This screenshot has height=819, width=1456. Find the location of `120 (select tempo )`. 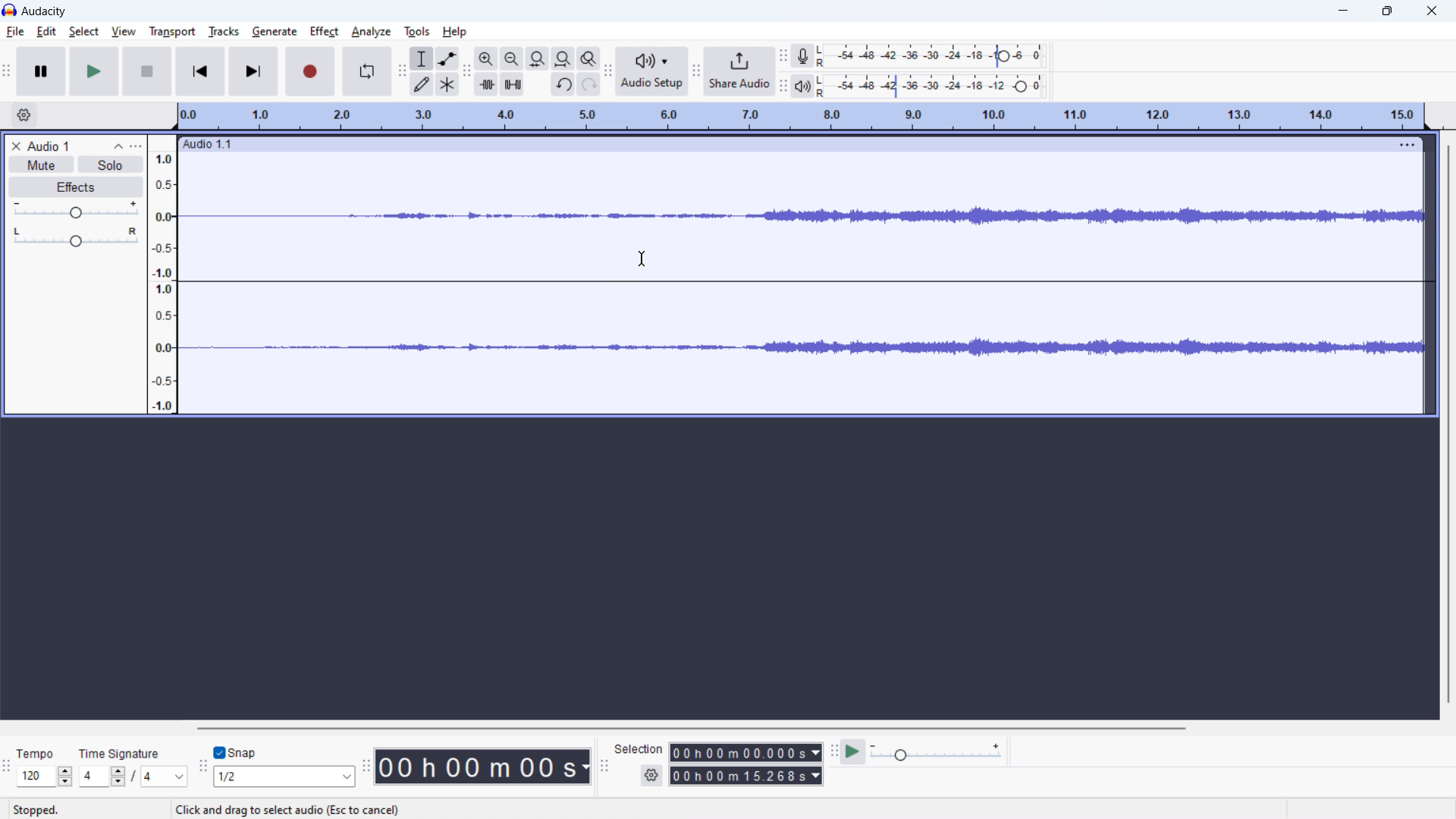

120 (select tempo ) is located at coordinates (44, 777).